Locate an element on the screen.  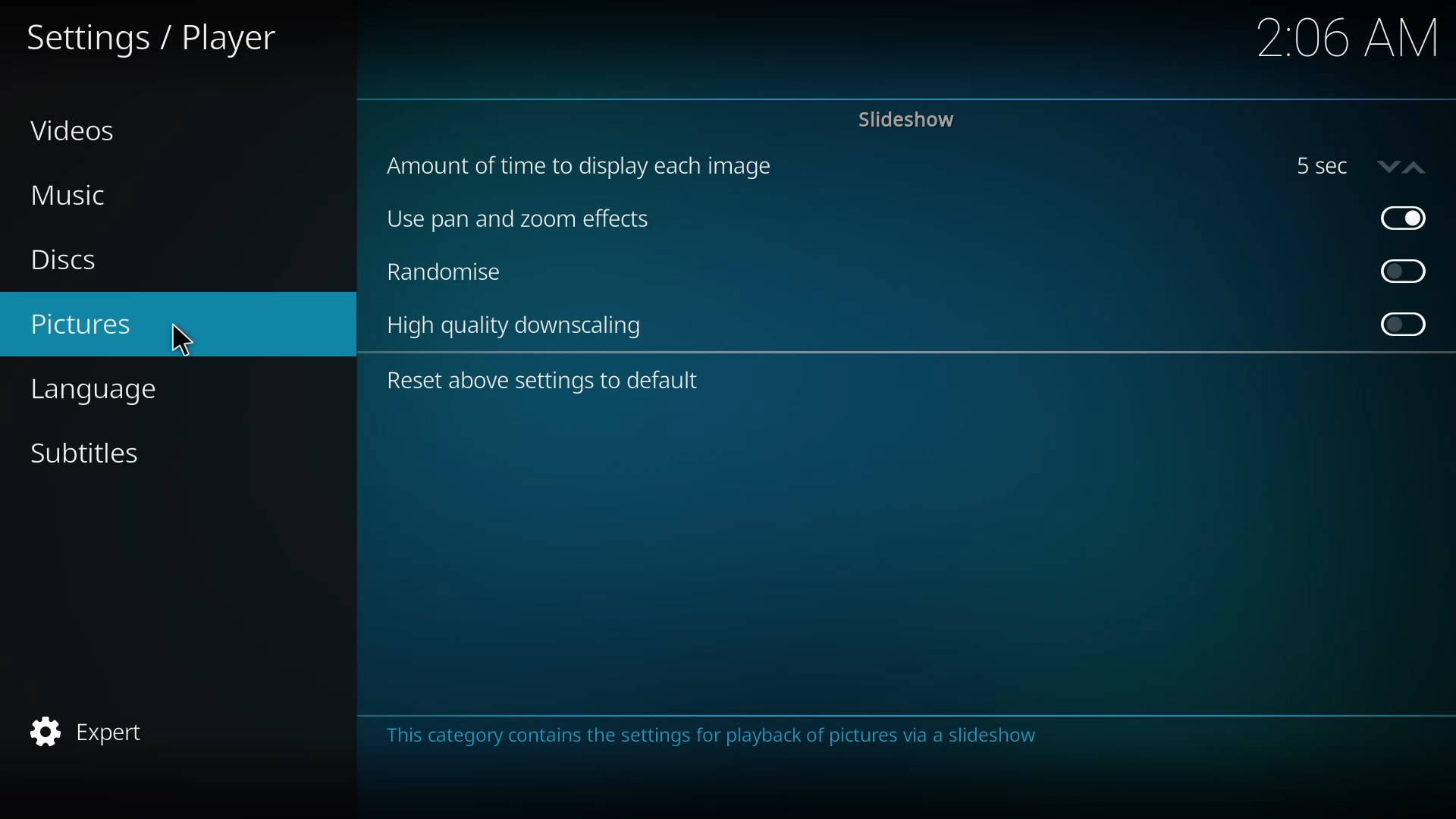
5 sec is located at coordinates (1366, 165).